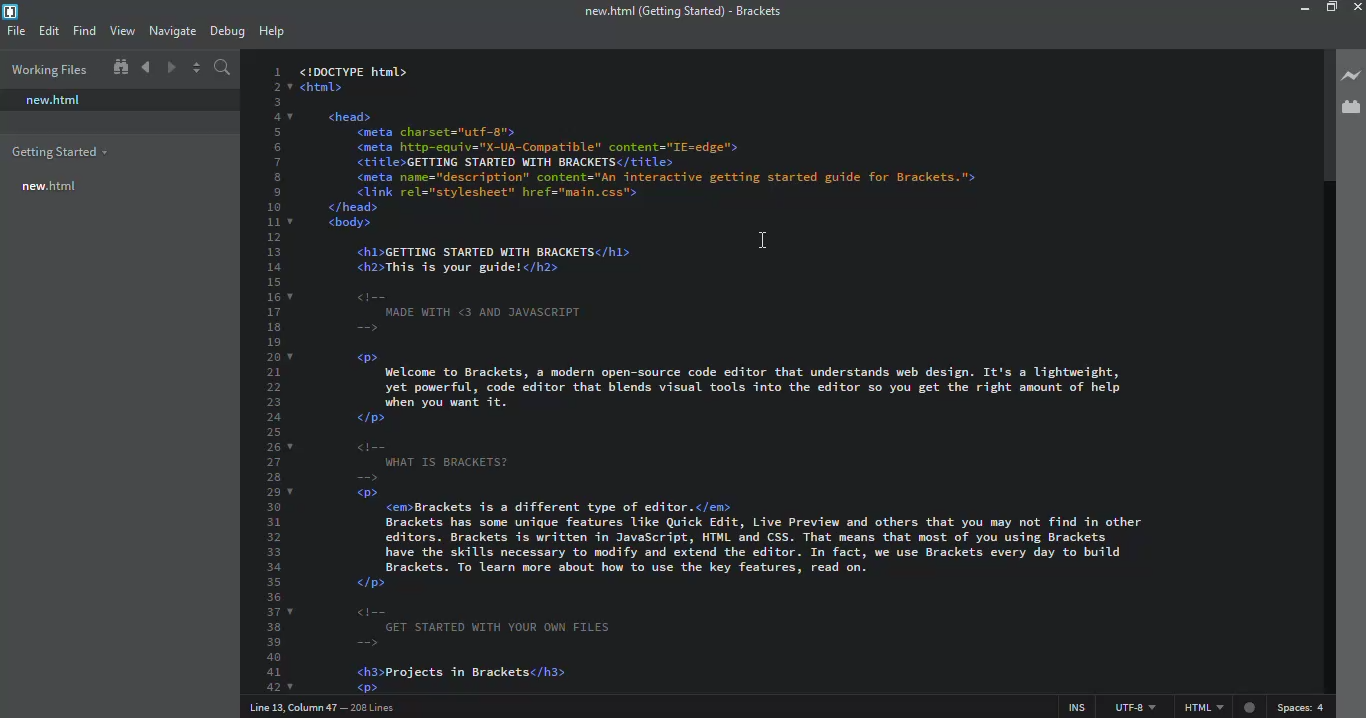  I want to click on scroll bar, so click(1321, 112).